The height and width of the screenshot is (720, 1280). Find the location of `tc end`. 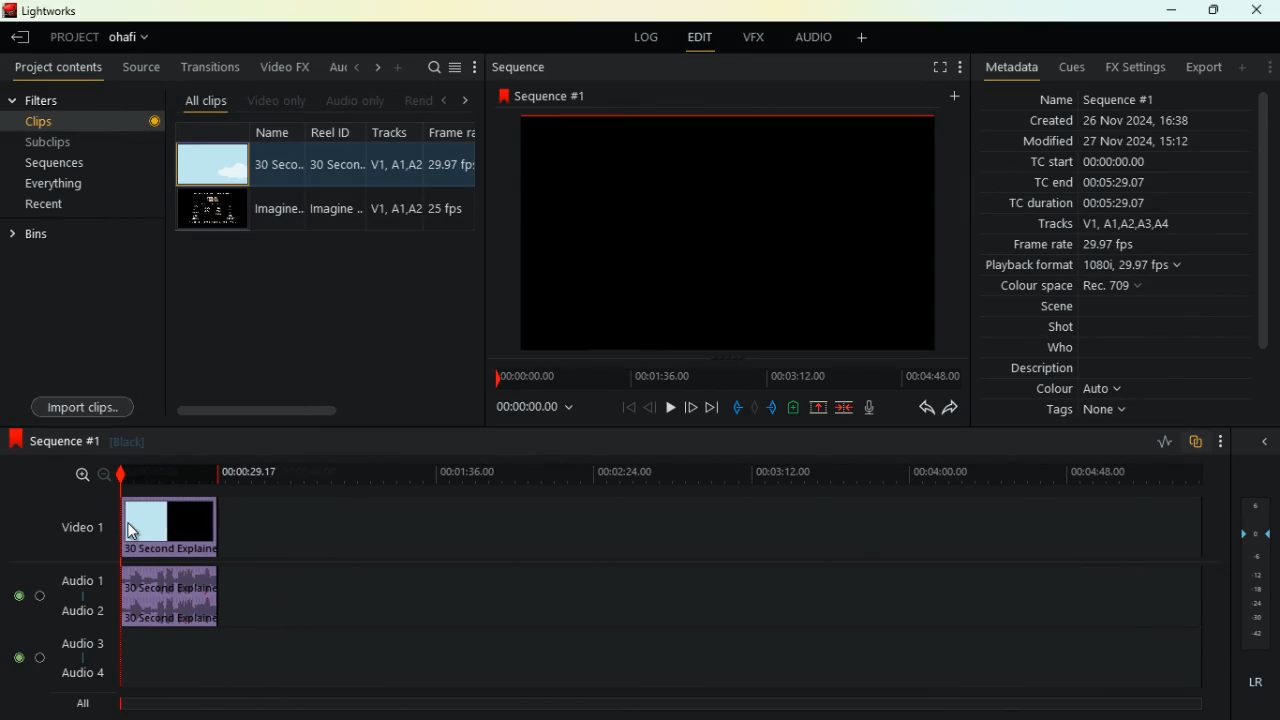

tc end is located at coordinates (1090, 182).